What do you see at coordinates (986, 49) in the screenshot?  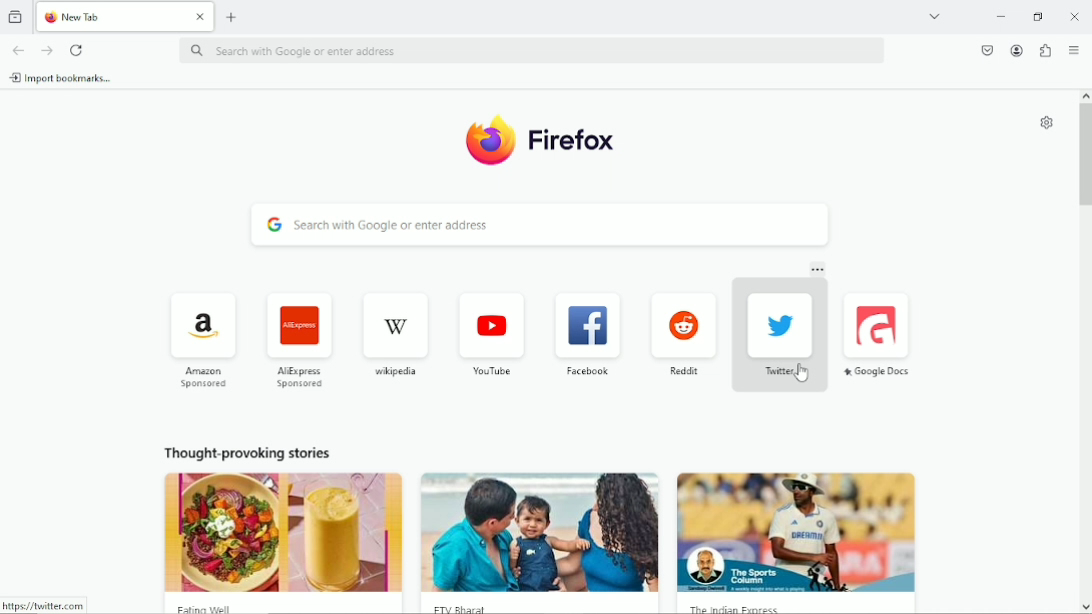 I see `save to pocket` at bounding box center [986, 49].